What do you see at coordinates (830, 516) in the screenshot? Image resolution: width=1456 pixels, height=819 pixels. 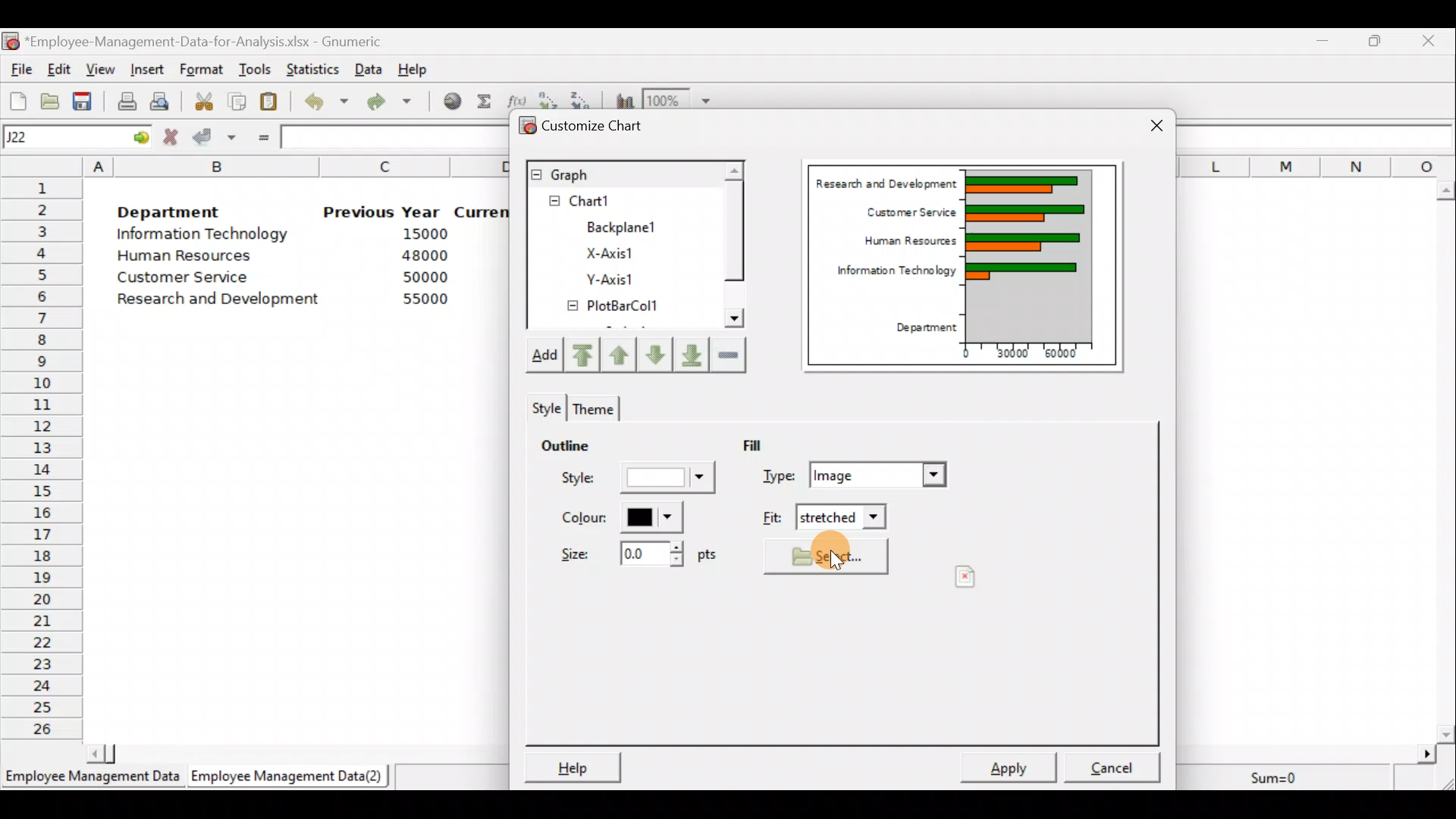 I see `Fit` at bounding box center [830, 516].